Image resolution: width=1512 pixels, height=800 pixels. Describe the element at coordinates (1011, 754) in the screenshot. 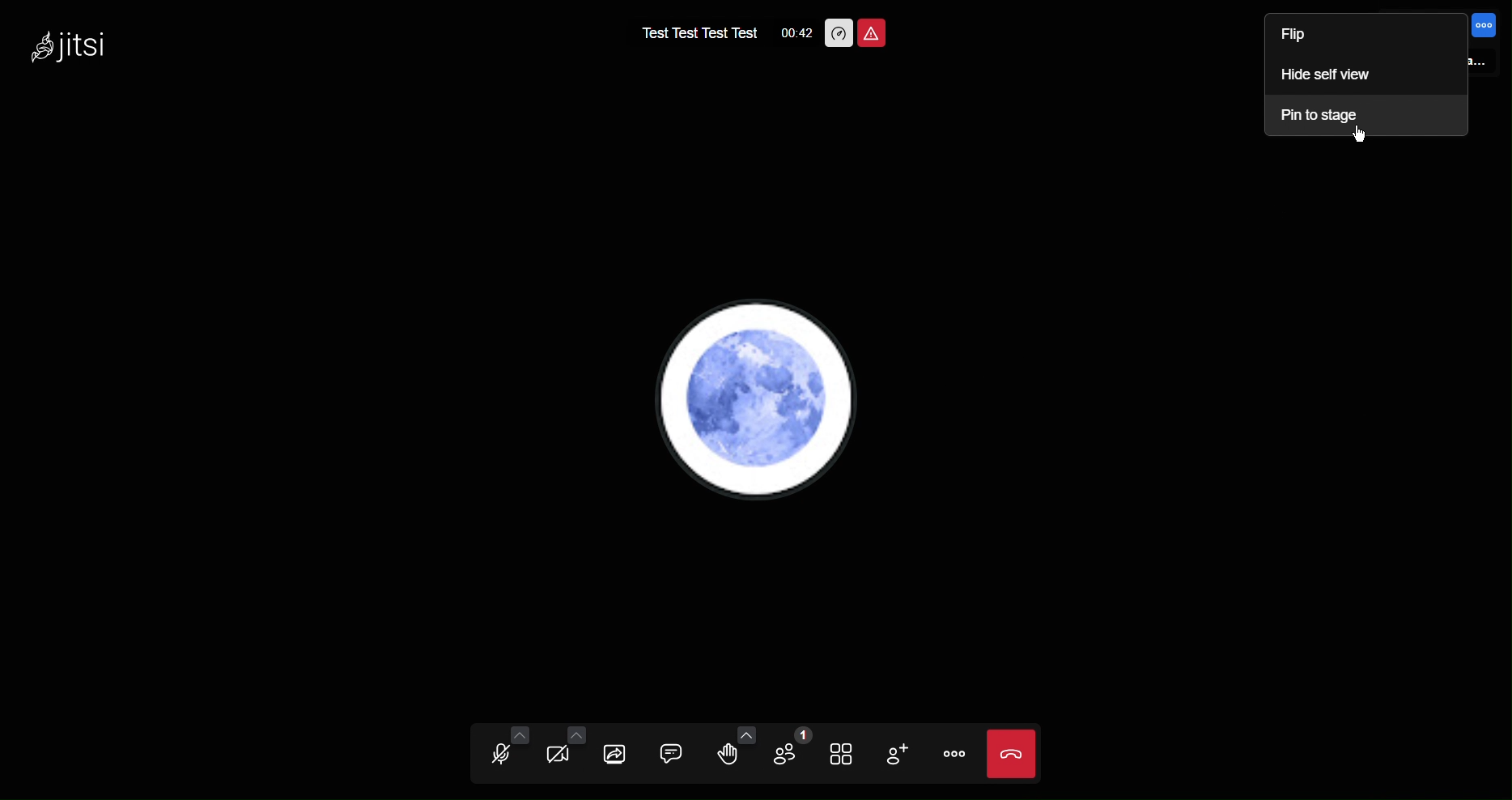

I see `End Call` at that location.